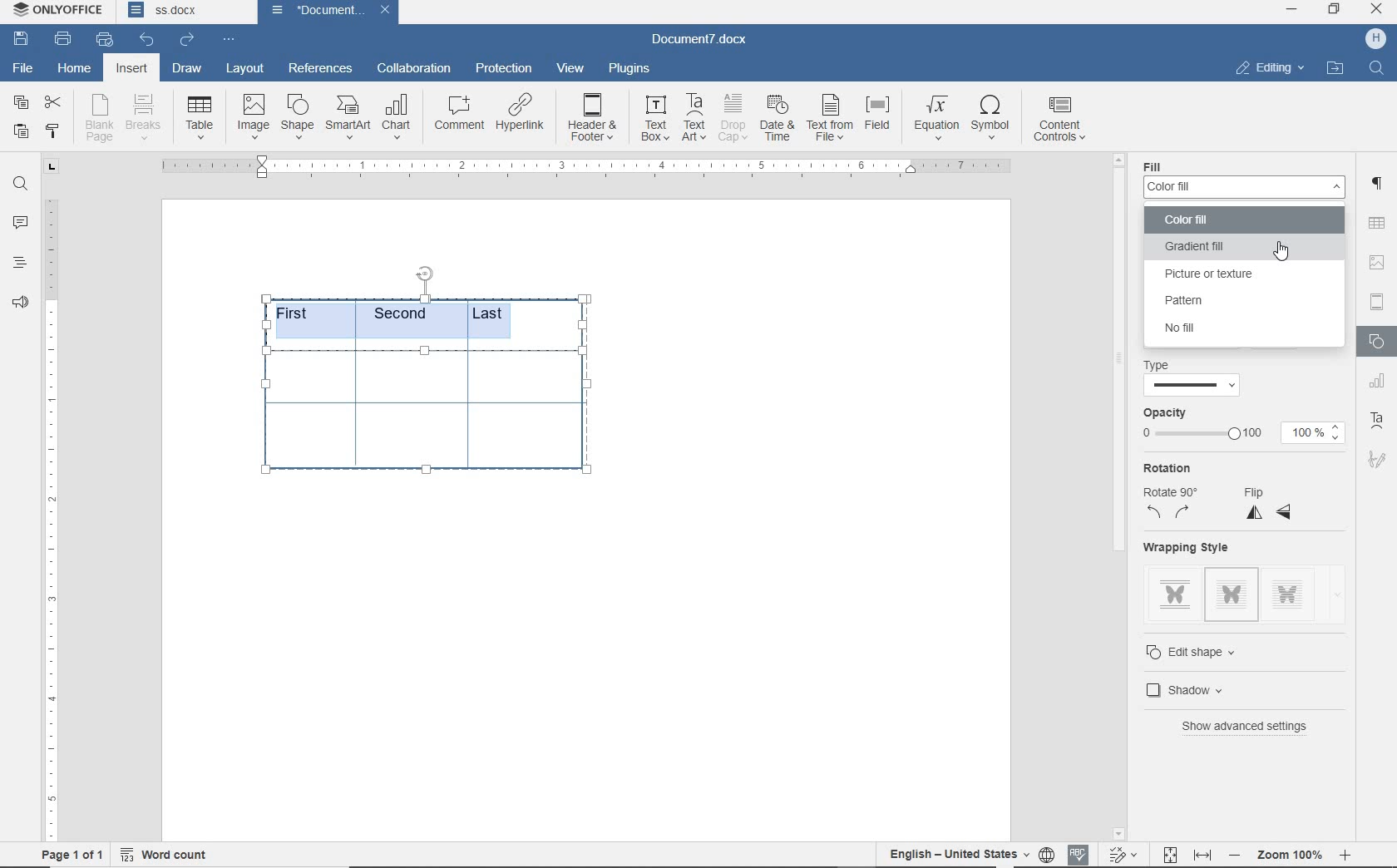 The height and width of the screenshot is (868, 1397). I want to click on HP, so click(1374, 38).